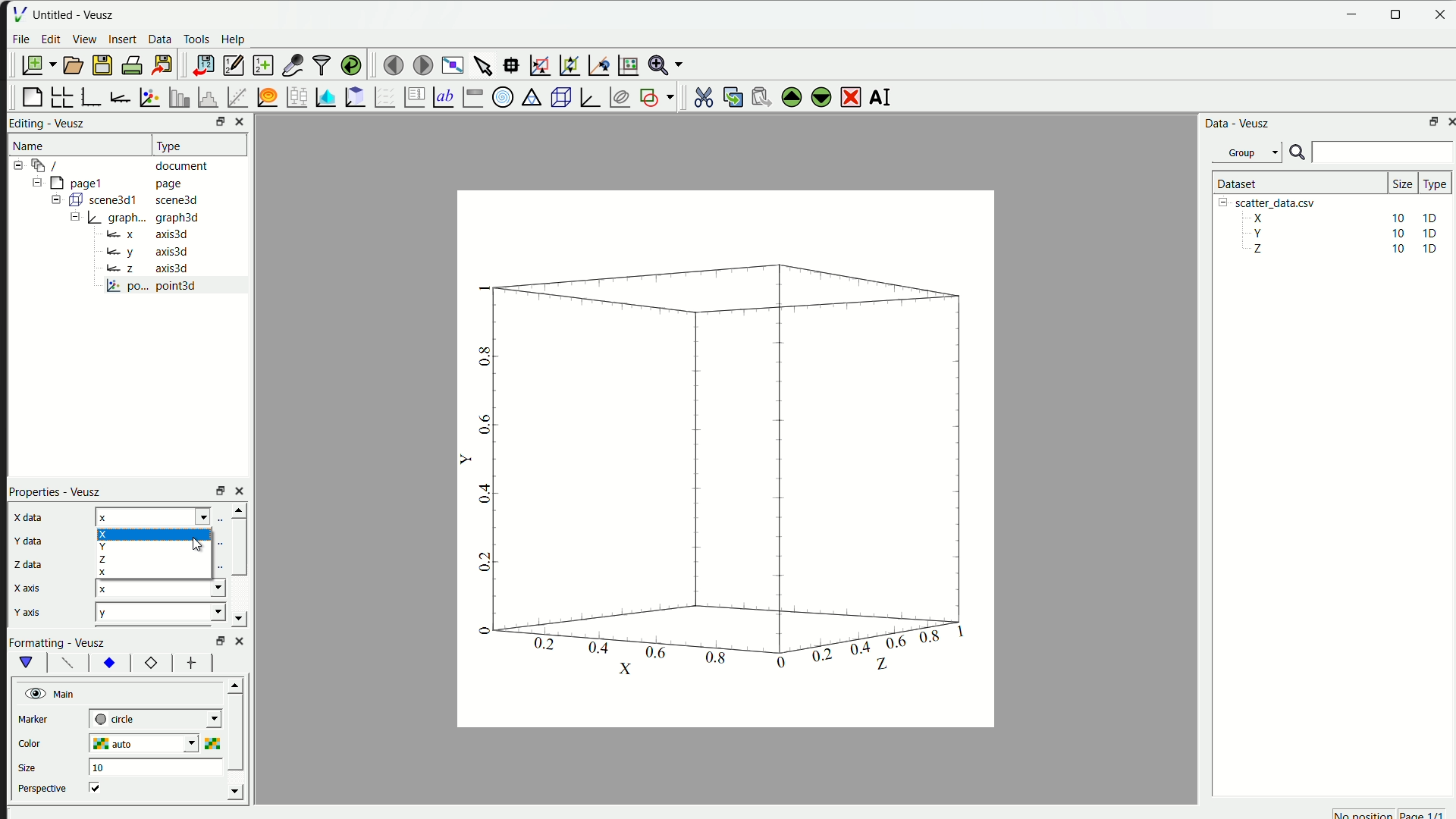 The height and width of the screenshot is (819, 1456). I want to click on x y, so click(168, 539).